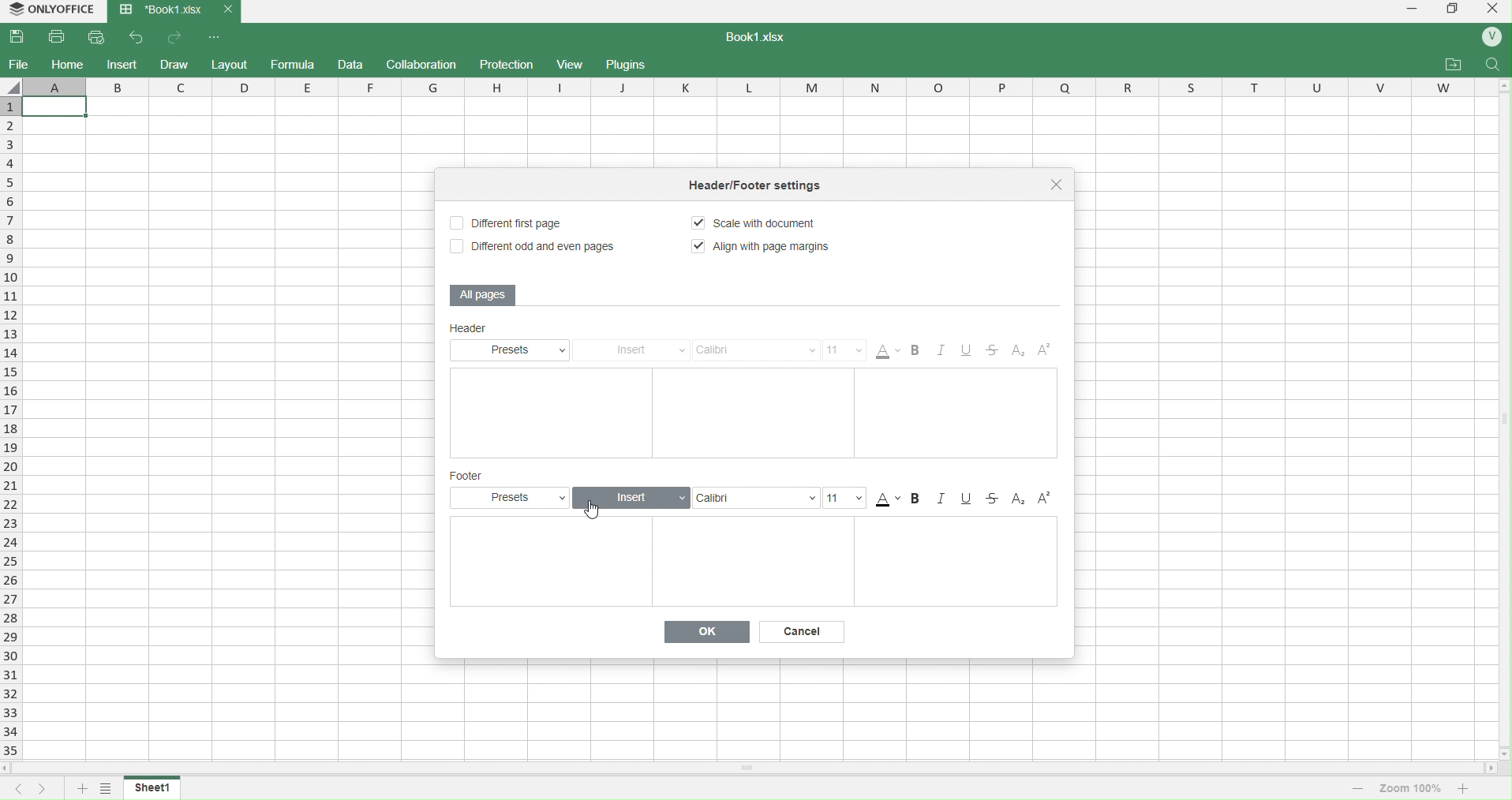 Image resolution: width=1512 pixels, height=800 pixels. I want to click on move up, so click(1503, 88).